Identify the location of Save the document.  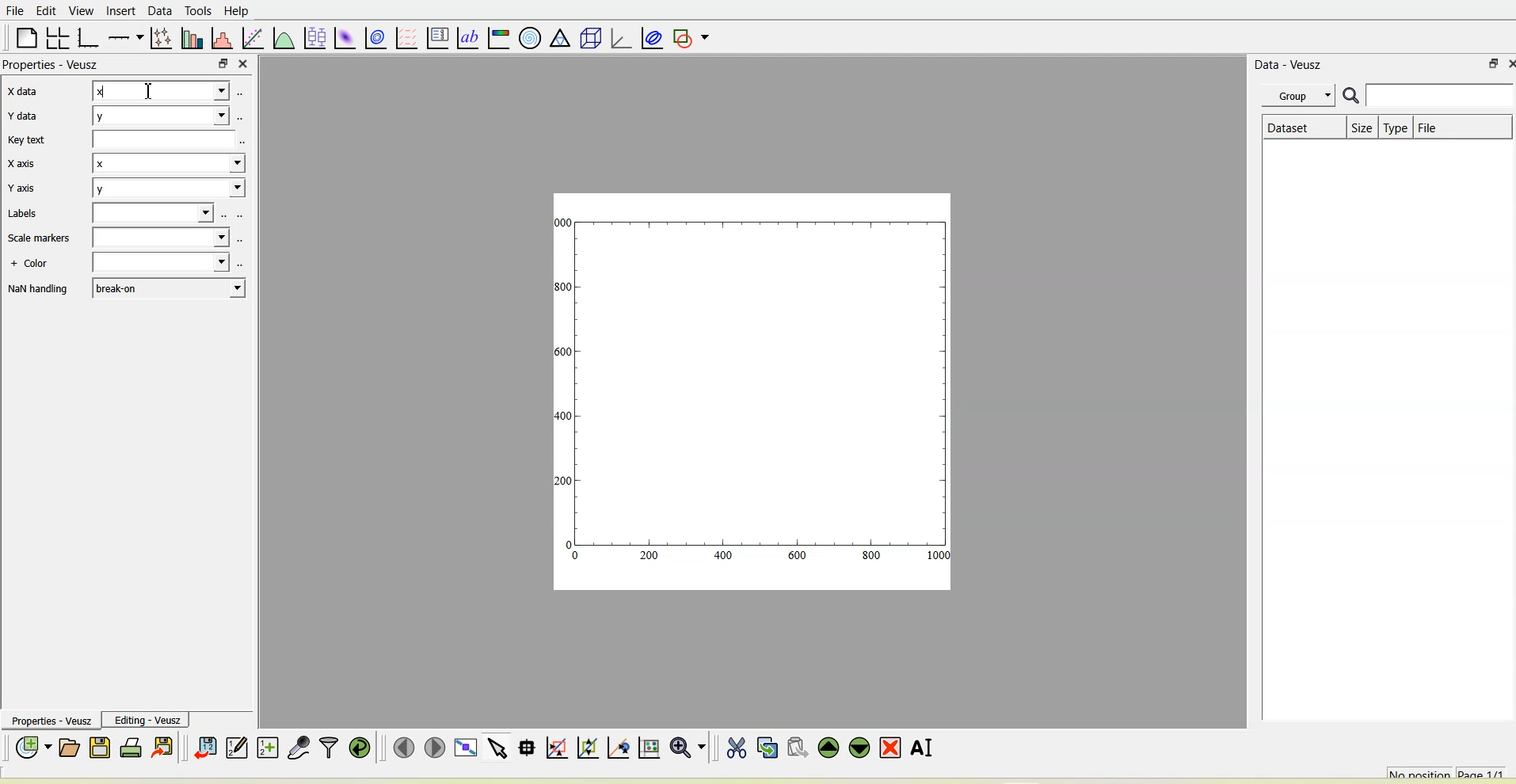
(101, 748).